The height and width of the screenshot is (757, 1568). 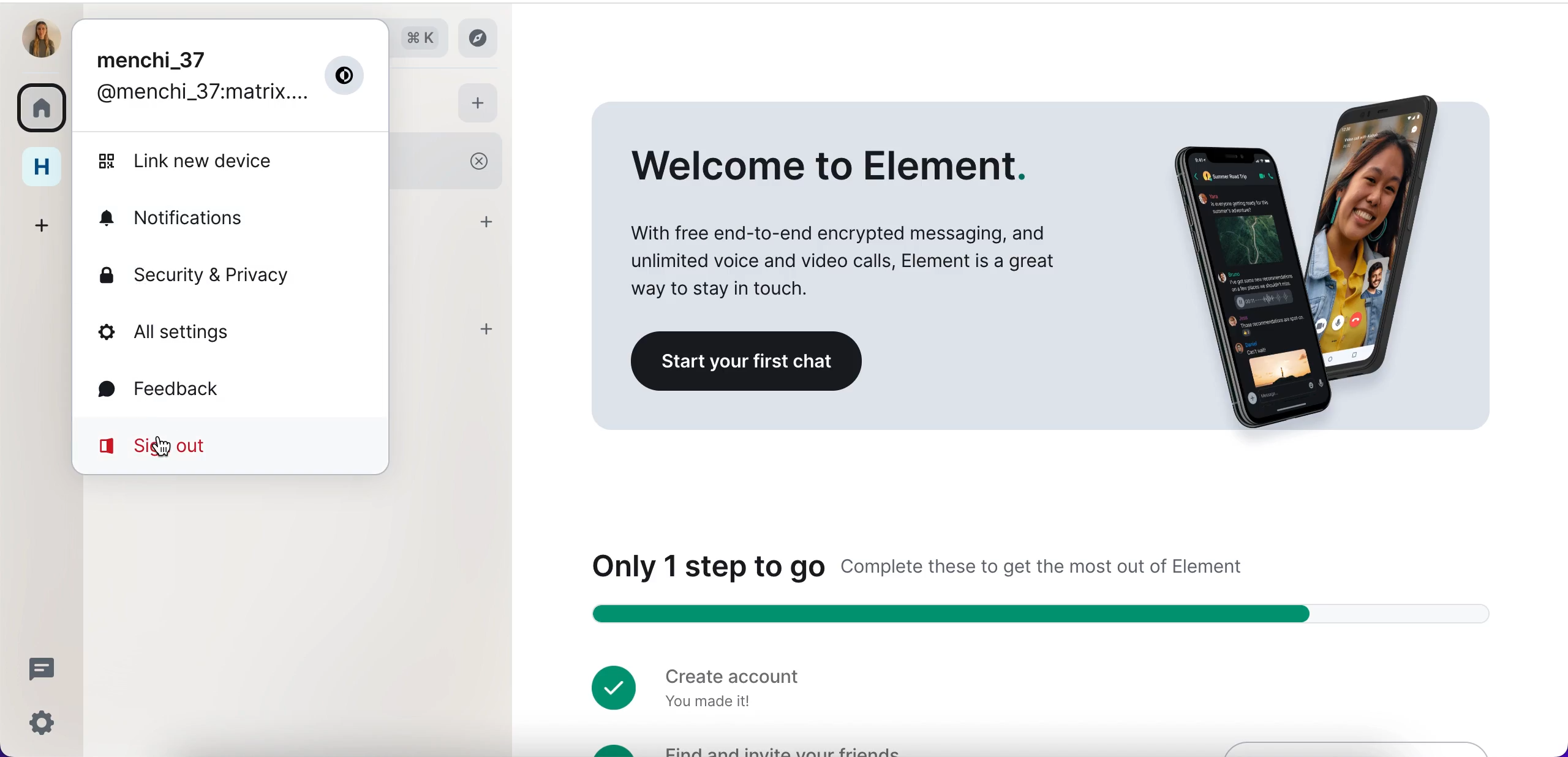 I want to click on home, so click(x=45, y=165).